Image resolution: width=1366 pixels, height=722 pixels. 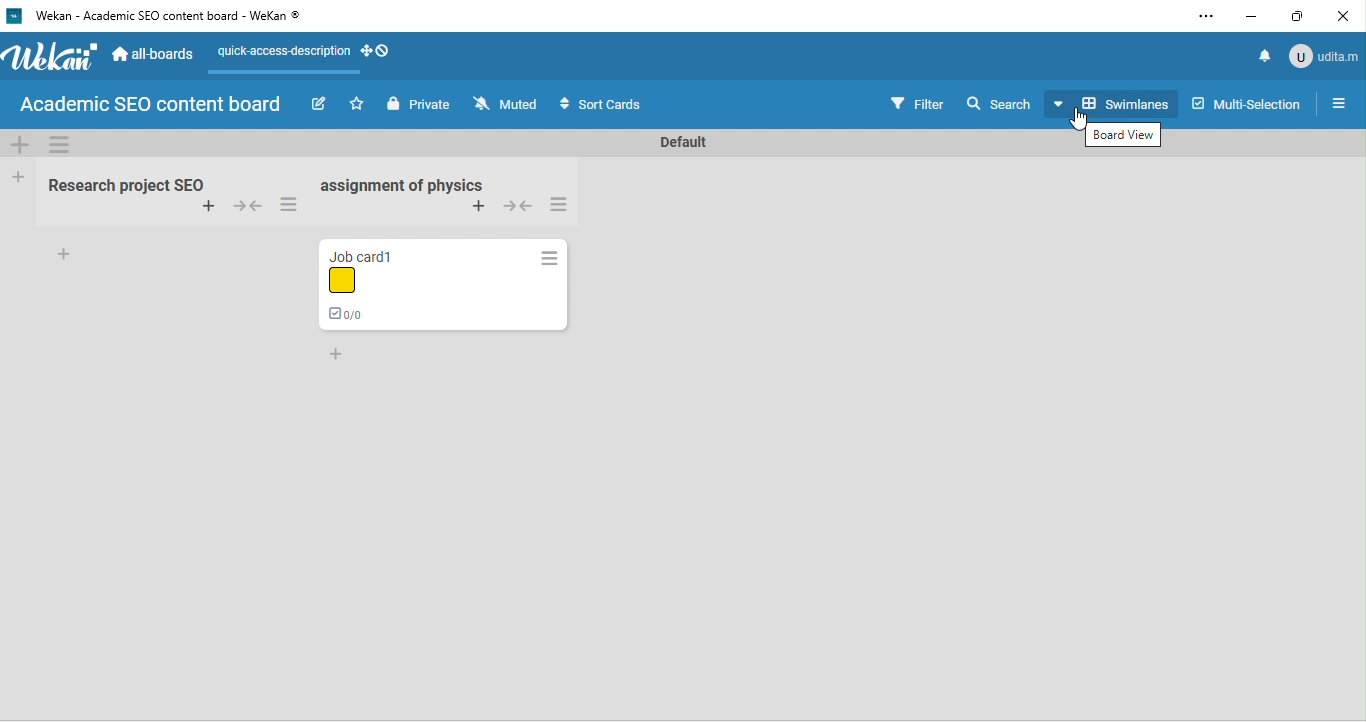 I want to click on options, so click(x=1206, y=15).